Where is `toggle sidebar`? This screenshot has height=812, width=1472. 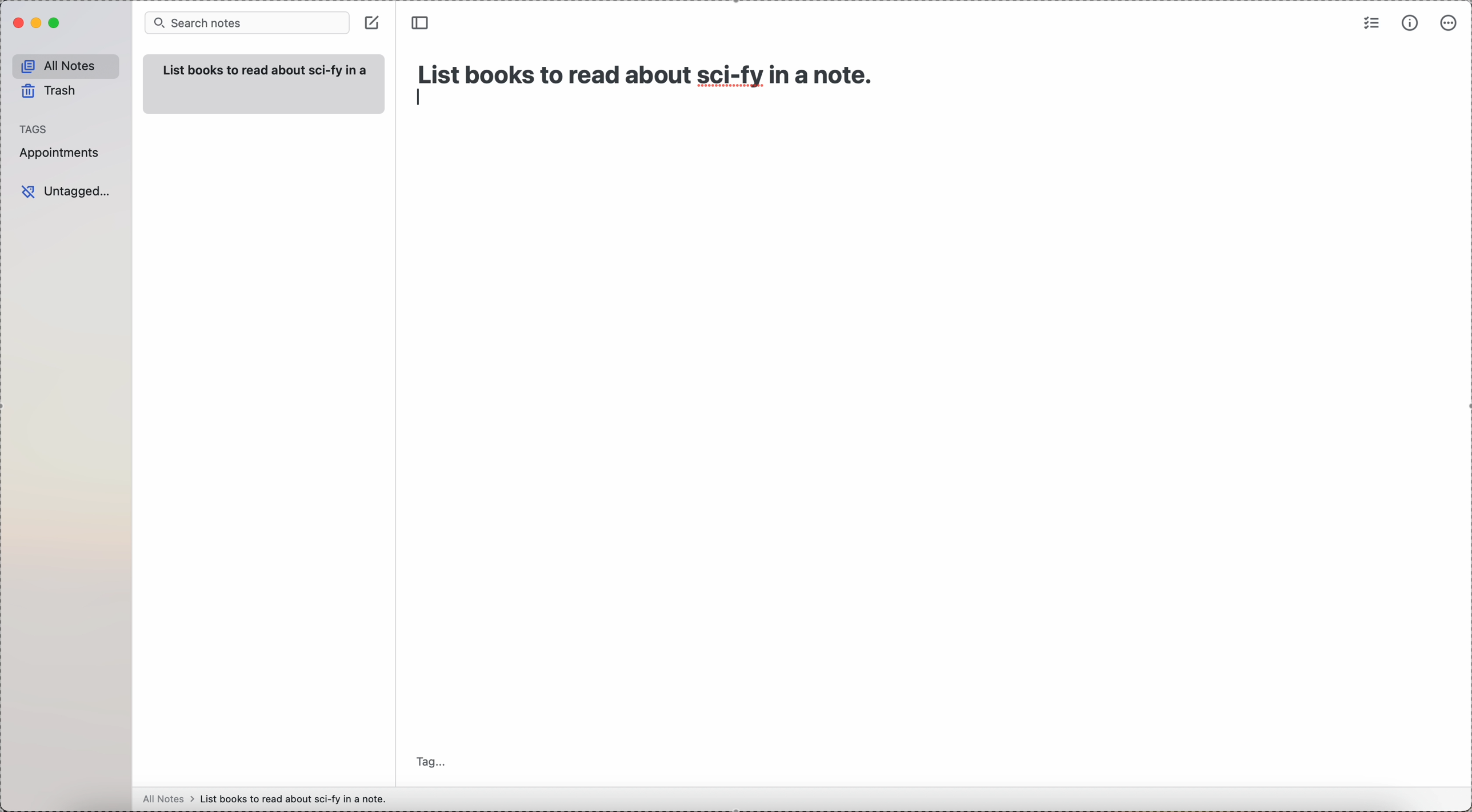 toggle sidebar is located at coordinates (422, 22).